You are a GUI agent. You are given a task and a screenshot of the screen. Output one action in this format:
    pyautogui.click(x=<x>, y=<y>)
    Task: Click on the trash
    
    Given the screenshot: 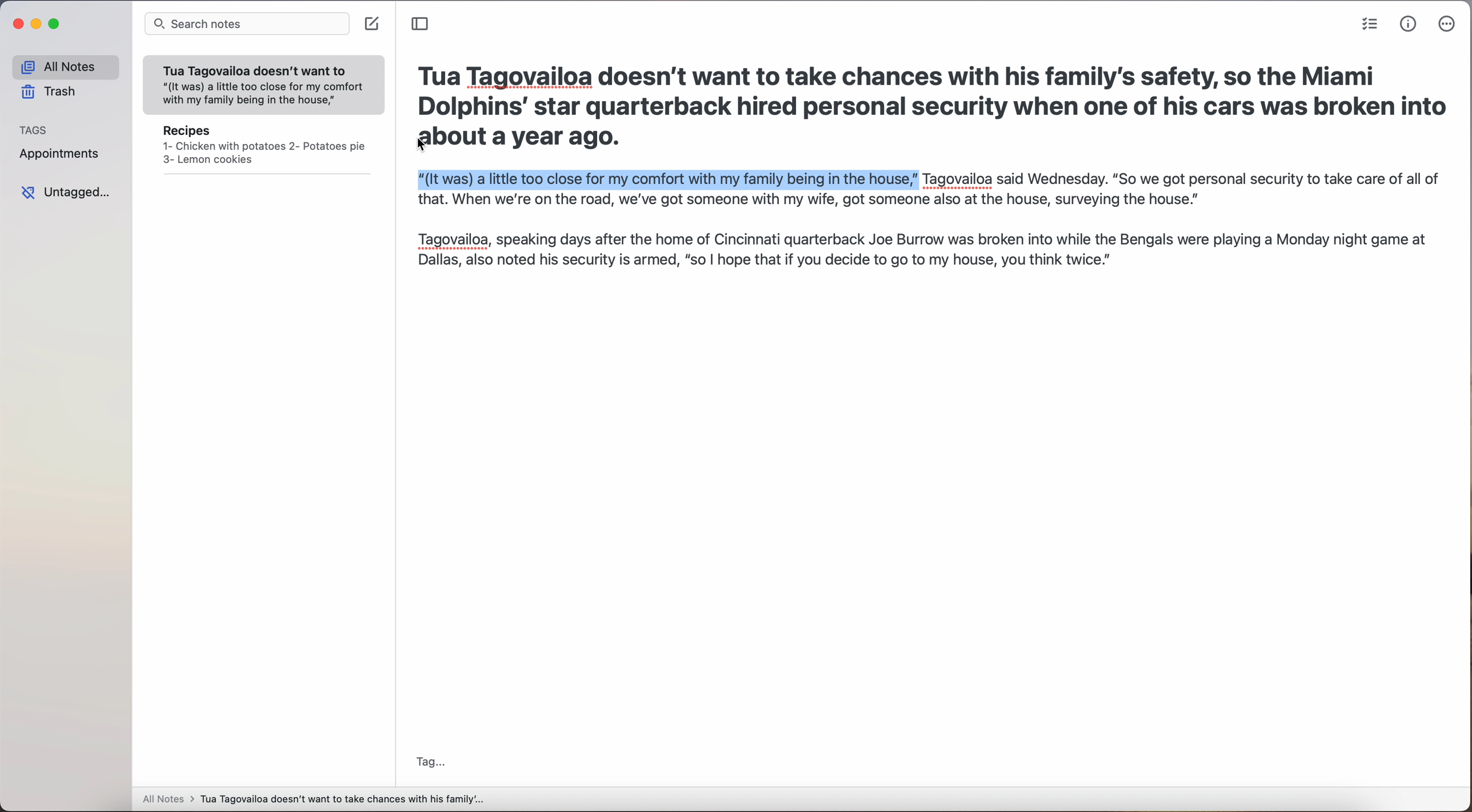 What is the action you would take?
    pyautogui.click(x=50, y=91)
    